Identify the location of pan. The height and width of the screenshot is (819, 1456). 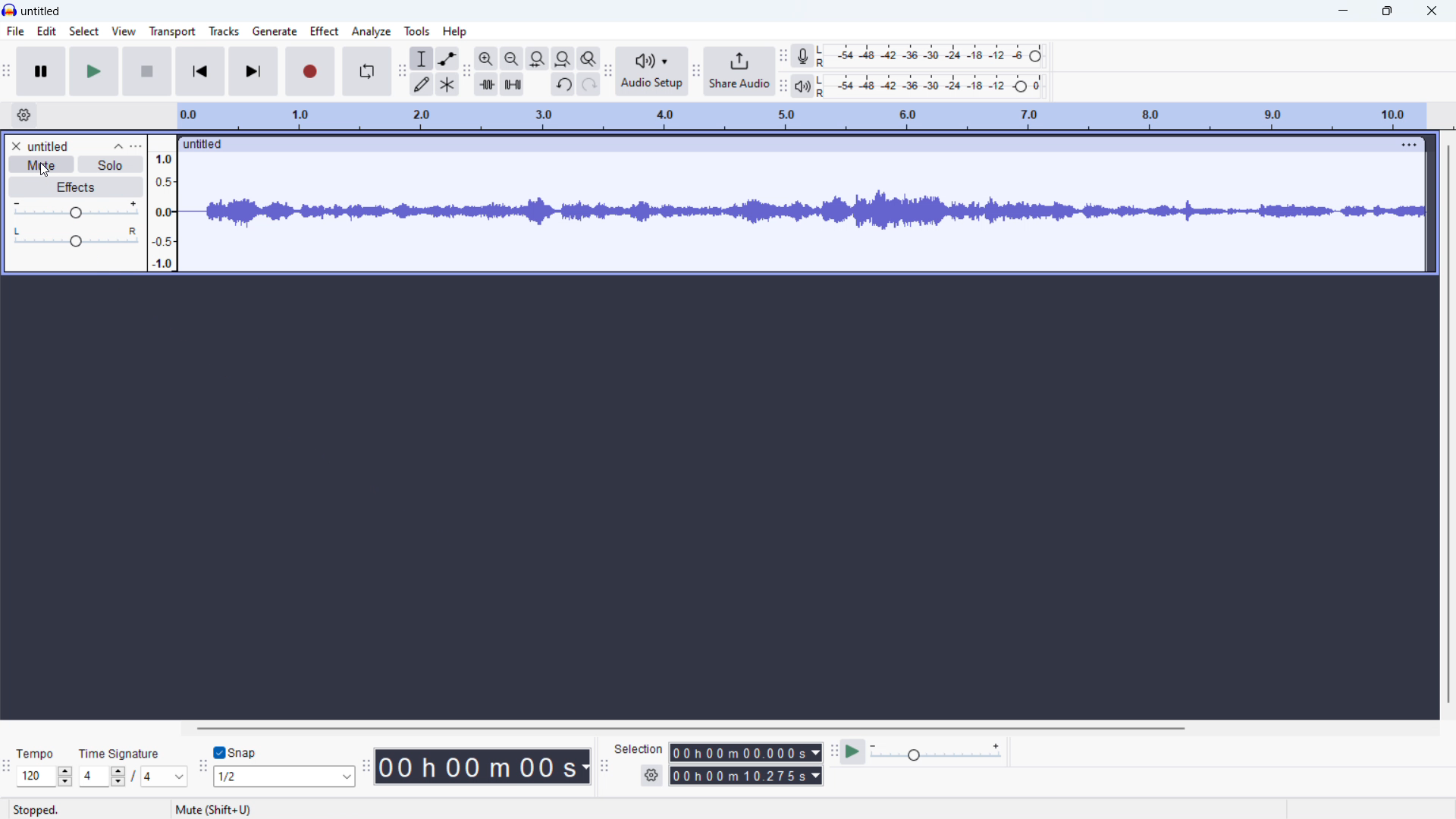
(77, 236).